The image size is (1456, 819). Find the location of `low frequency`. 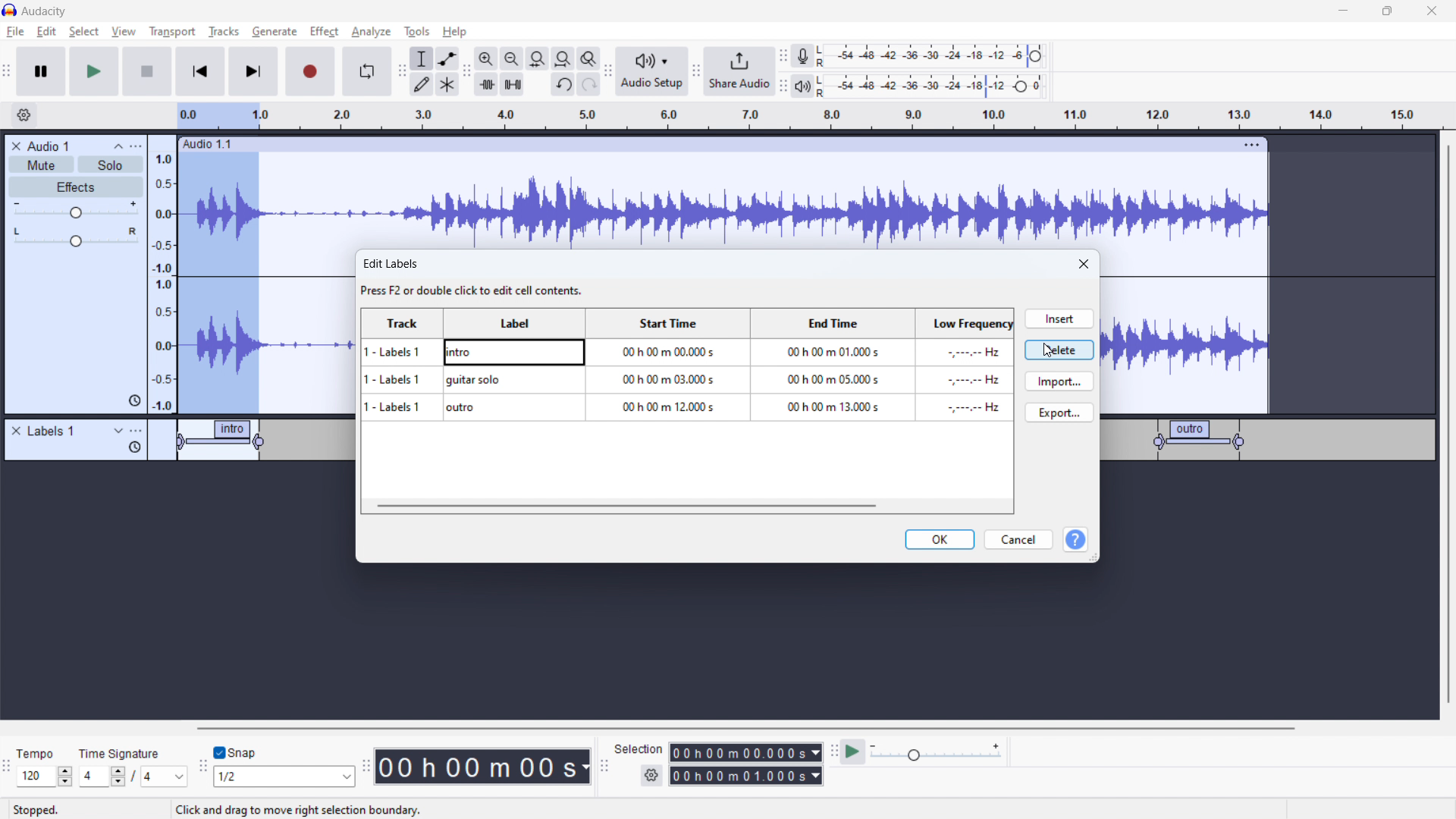

low frequency is located at coordinates (964, 366).